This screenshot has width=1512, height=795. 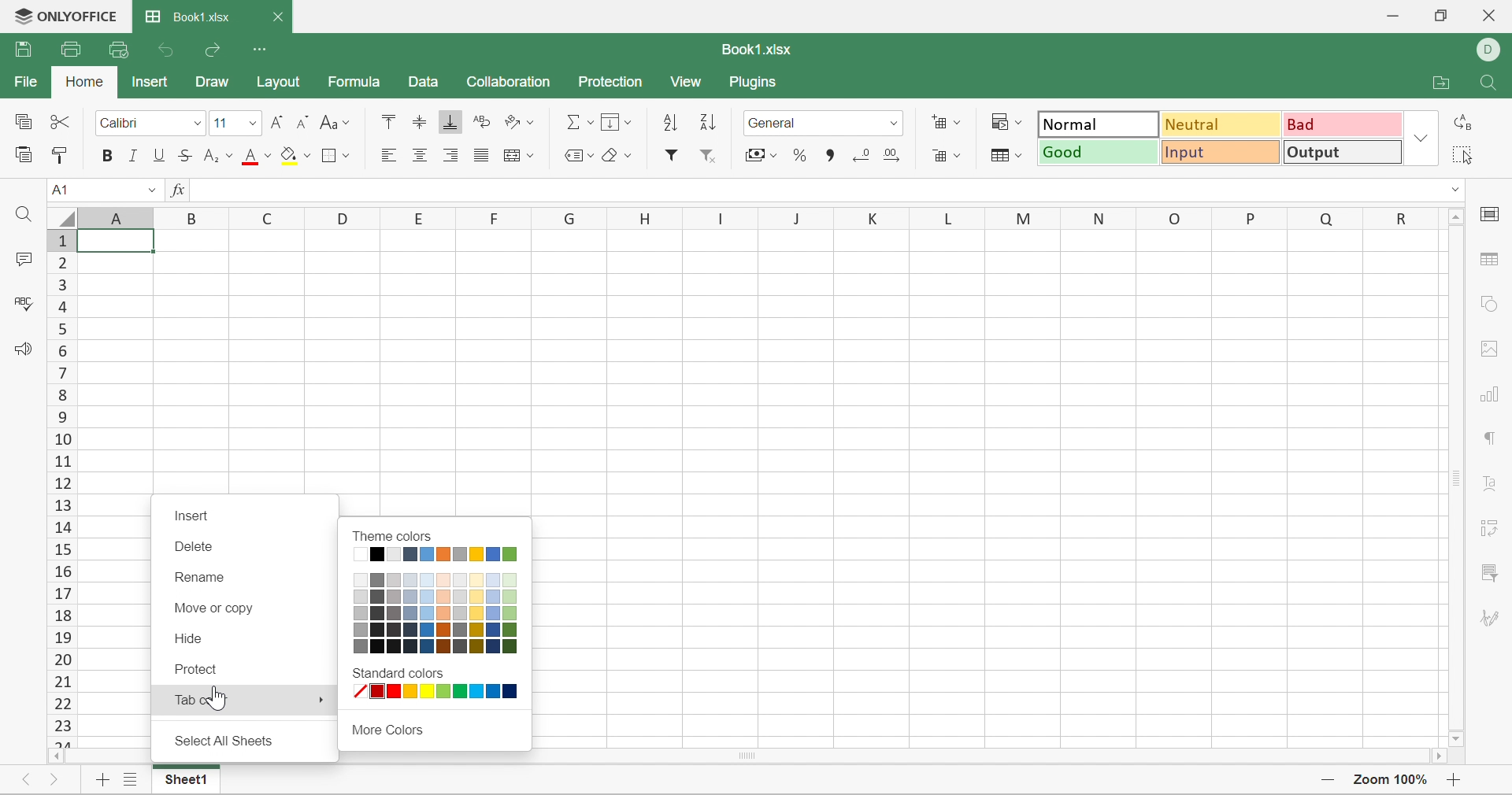 What do you see at coordinates (1343, 124) in the screenshot?
I see `Bad` at bounding box center [1343, 124].